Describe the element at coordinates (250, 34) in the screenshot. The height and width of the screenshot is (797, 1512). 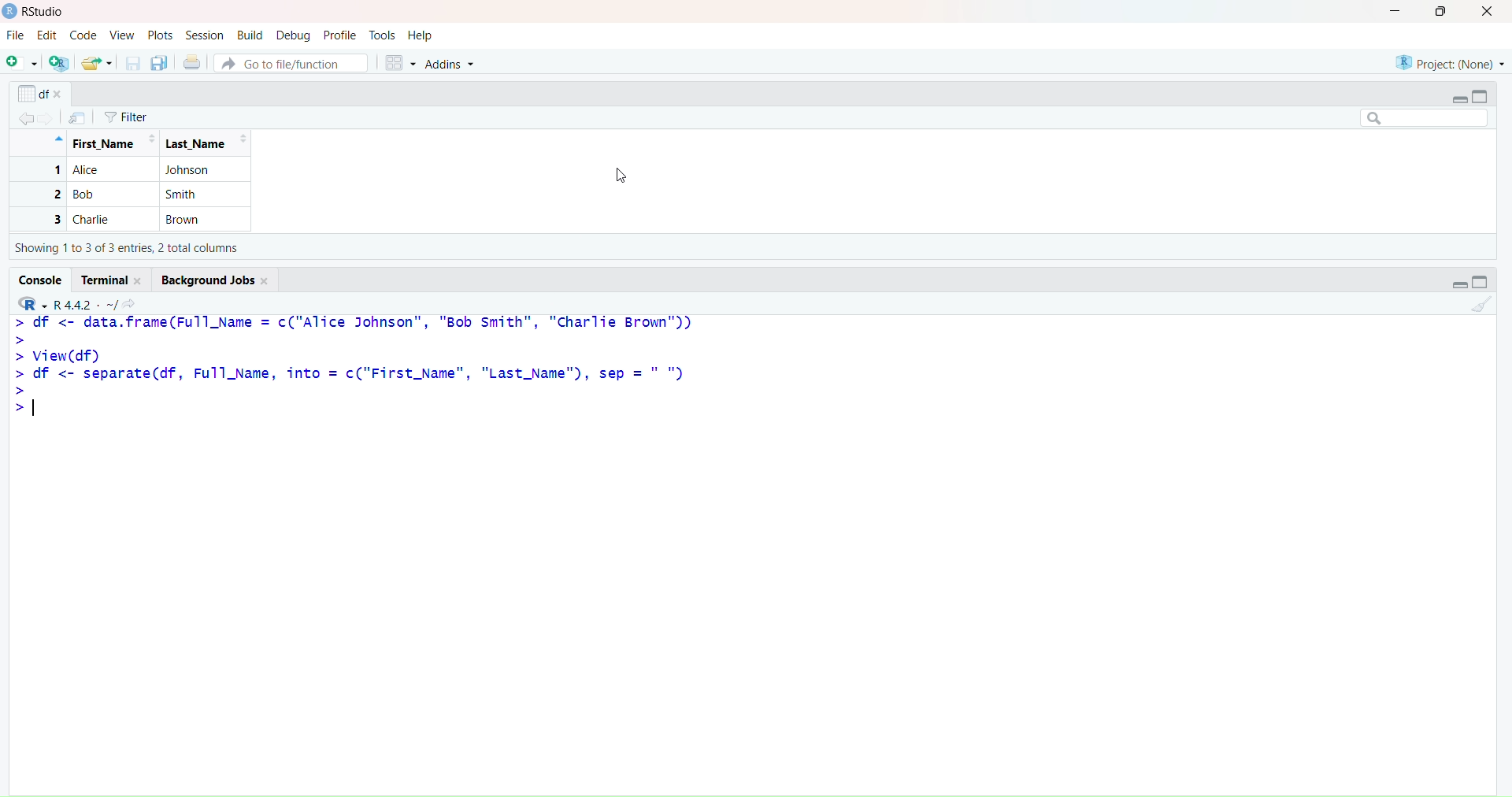
I see `Build` at that location.